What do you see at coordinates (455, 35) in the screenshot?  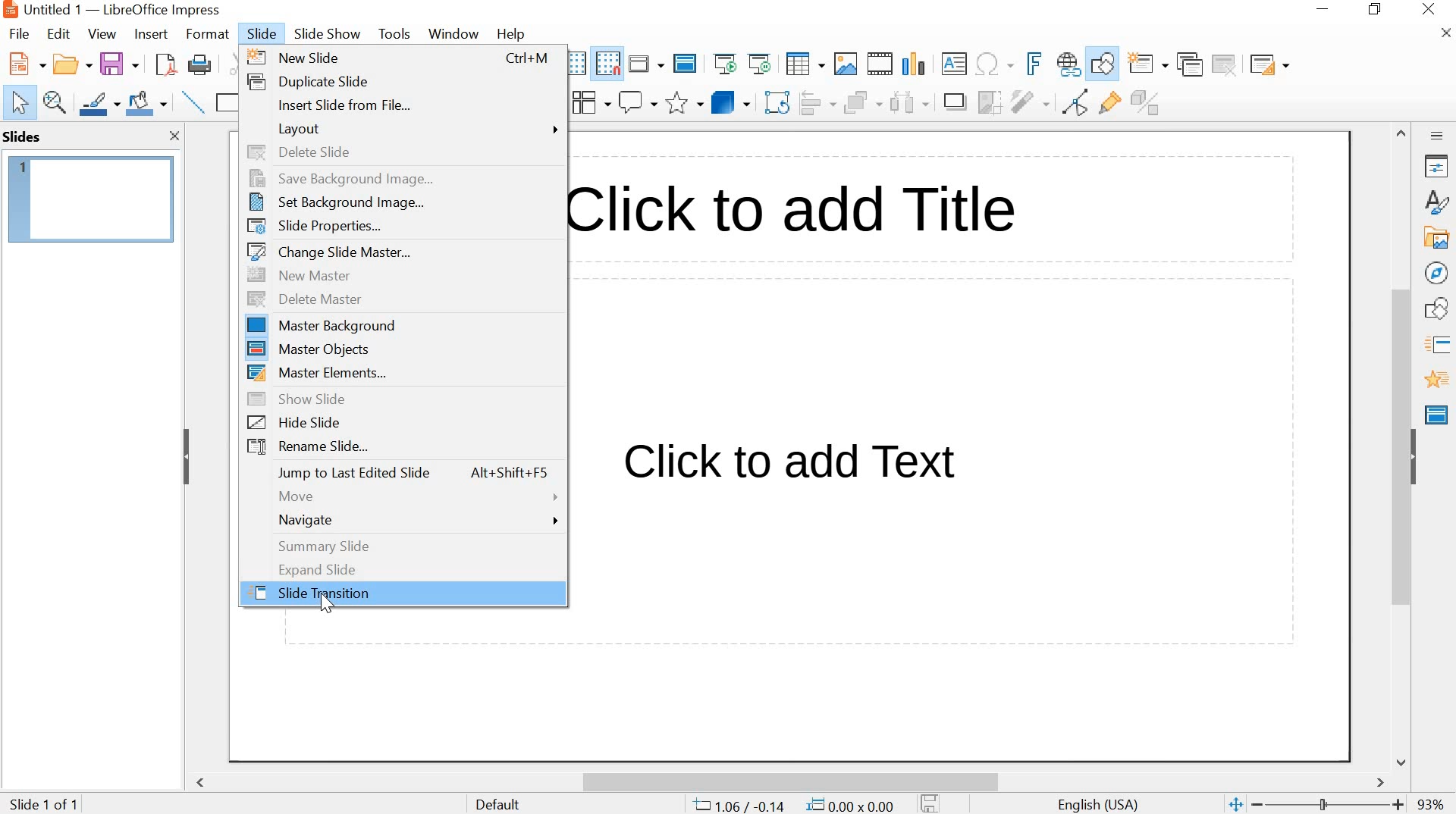 I see `WINDOW` at bounding box center [455, 35].